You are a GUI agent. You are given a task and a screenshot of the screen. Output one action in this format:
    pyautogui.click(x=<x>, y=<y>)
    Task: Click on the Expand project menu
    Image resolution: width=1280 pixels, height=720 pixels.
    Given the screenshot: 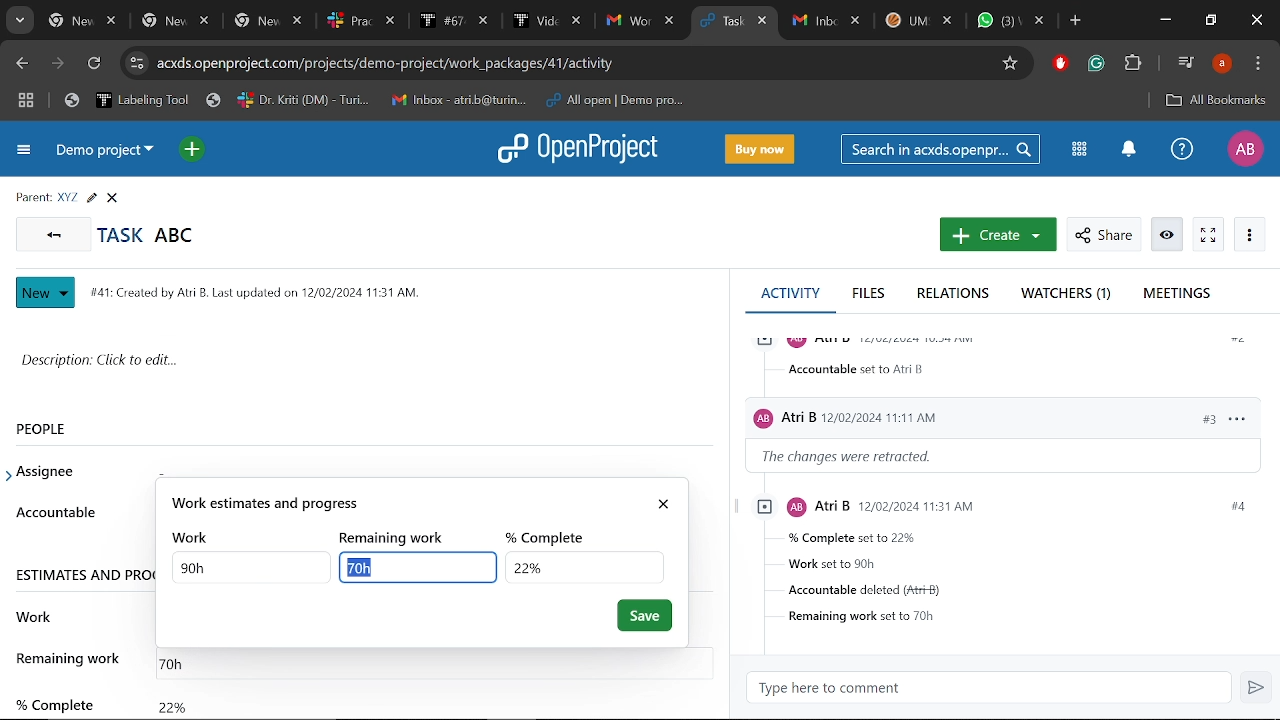 What is the action you would take?
    pyautogui.click(x=22, y=152)
    